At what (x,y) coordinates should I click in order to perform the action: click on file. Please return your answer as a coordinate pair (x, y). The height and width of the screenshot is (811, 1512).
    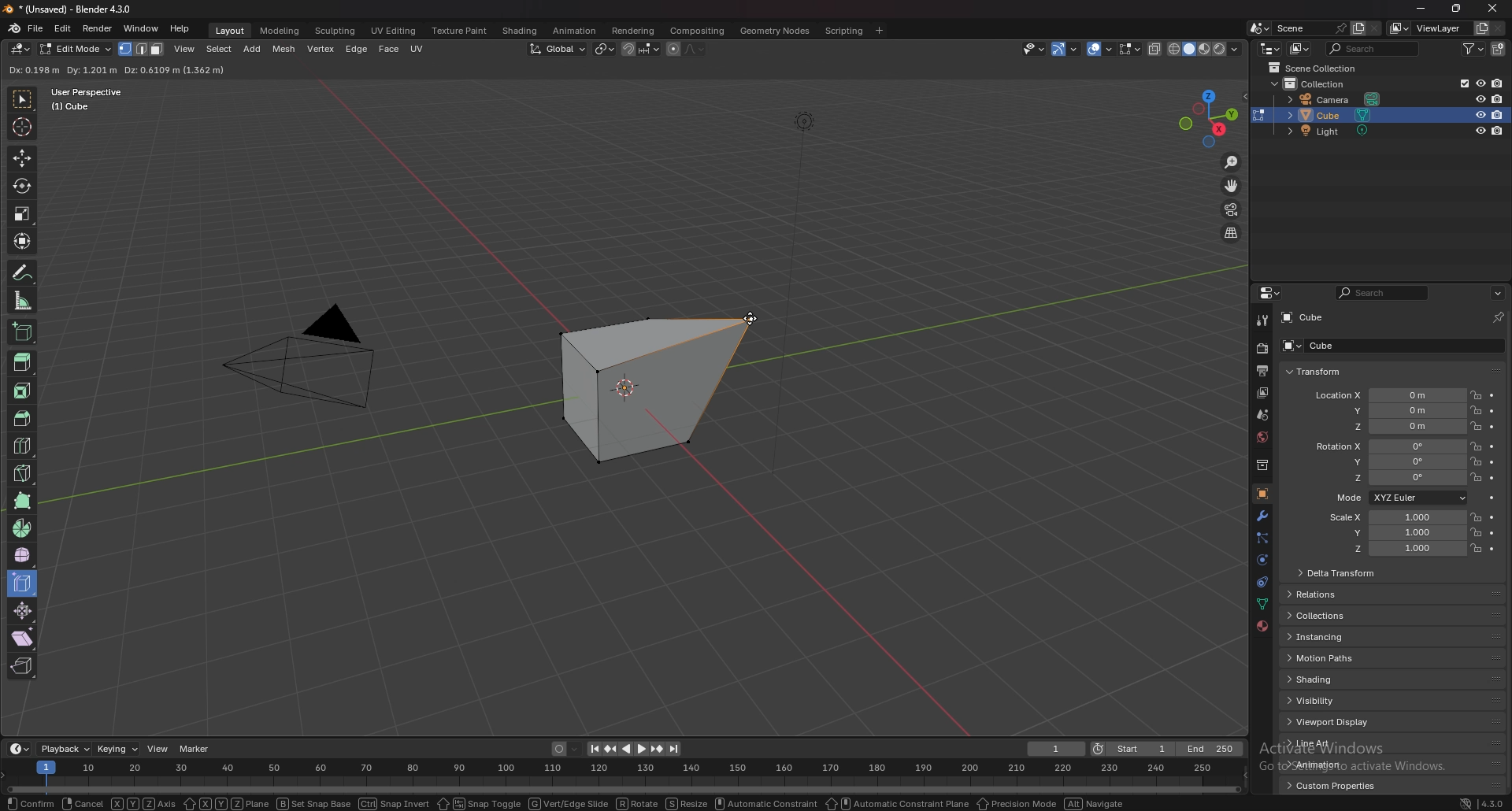
    Looking at the image, I should click on (36, 28).